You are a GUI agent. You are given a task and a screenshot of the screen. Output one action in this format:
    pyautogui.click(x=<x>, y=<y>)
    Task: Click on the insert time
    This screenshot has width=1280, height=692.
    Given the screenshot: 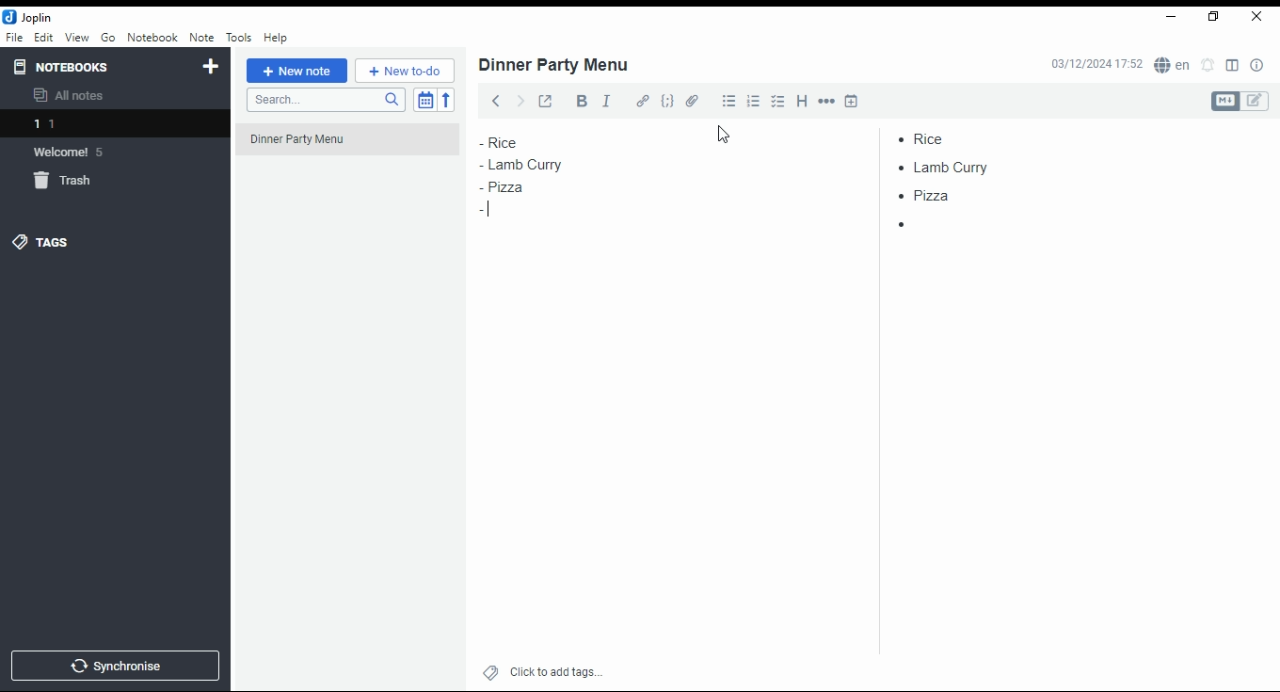 What is the action you would take?
    pyautogui.click(x=851, y=100)
    